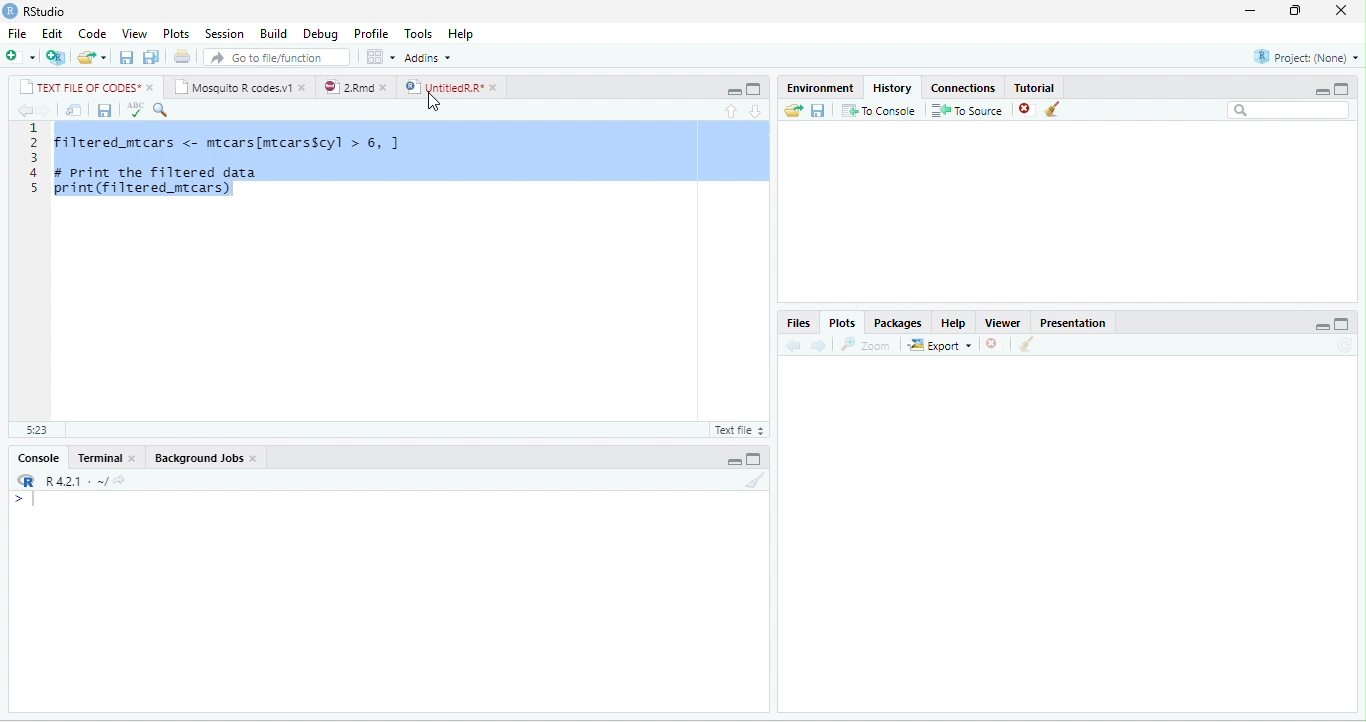  I want to click on clear, so click(756, 480).